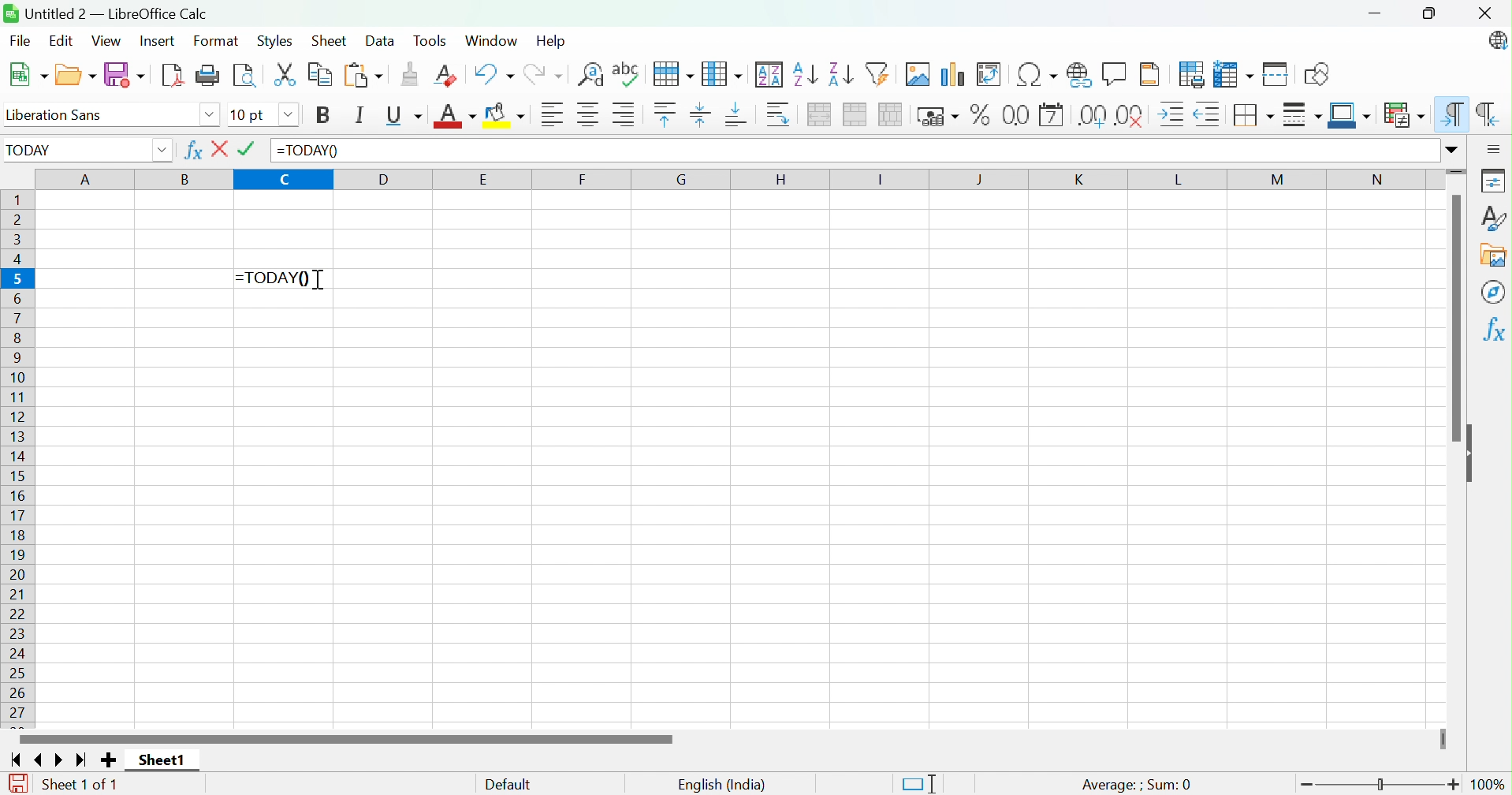 This screenshot has height=795, width=1512. What do you see at coordinates (841, 74) in the screenshot?
I see `Sort descending` at bounding box center [841, 74].